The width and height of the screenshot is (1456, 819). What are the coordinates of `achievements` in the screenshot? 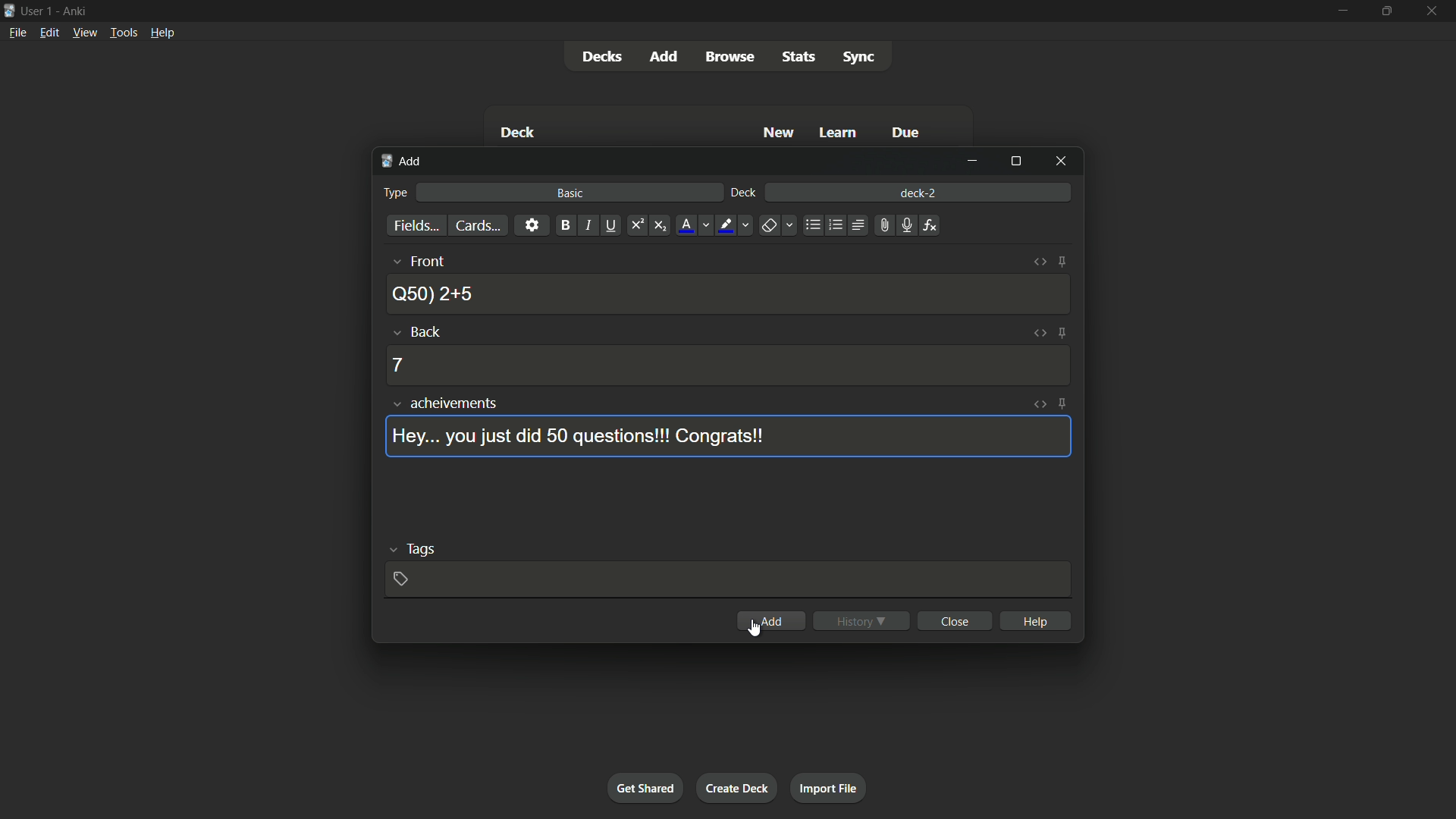 It's located at (447, 404).